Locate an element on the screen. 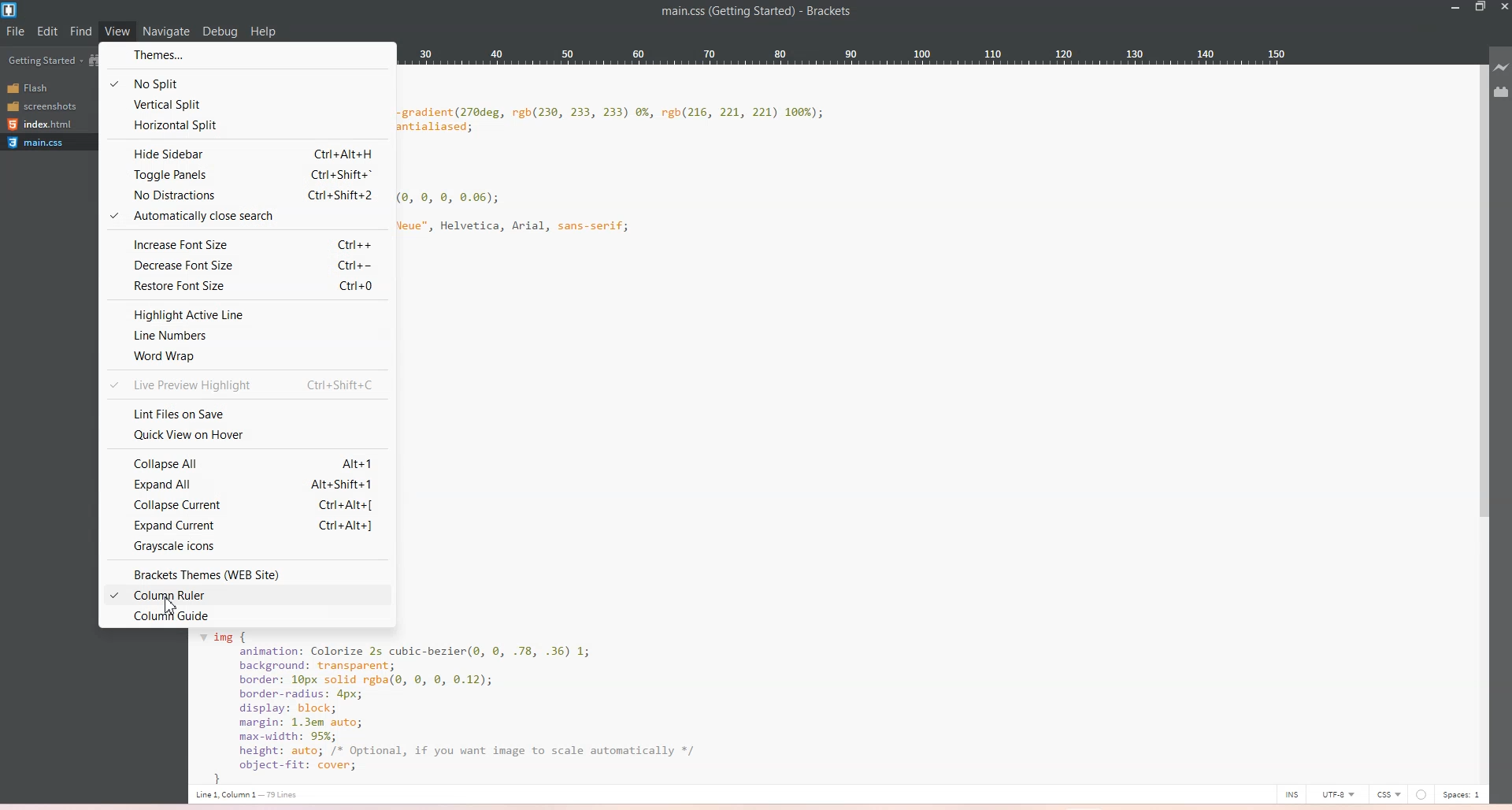 The height and width of the screenshot is (810, 1512). Minimize is located at coordinates (1455, 7).